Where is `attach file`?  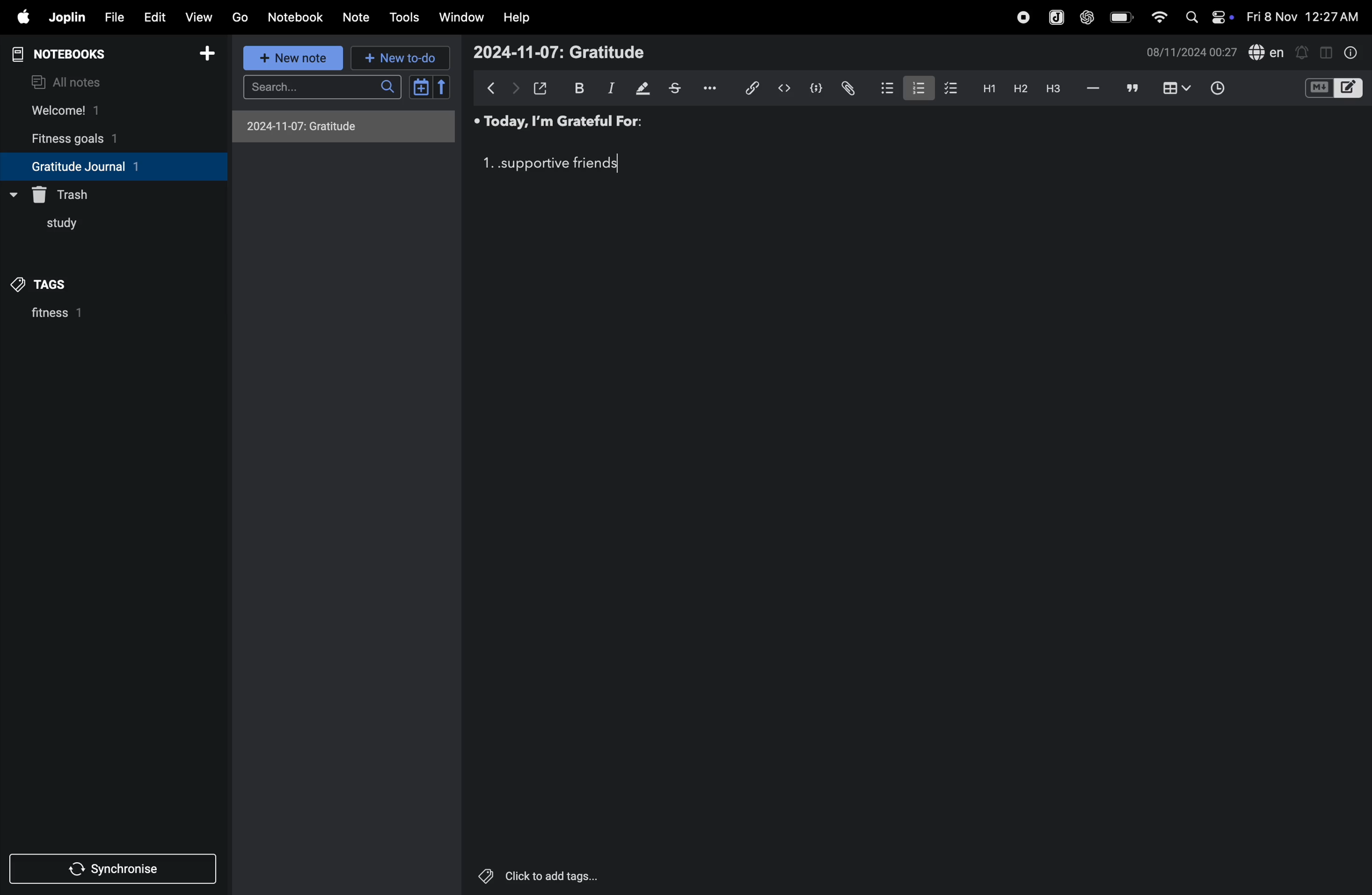
attach file is located at coordinates (847, 88).